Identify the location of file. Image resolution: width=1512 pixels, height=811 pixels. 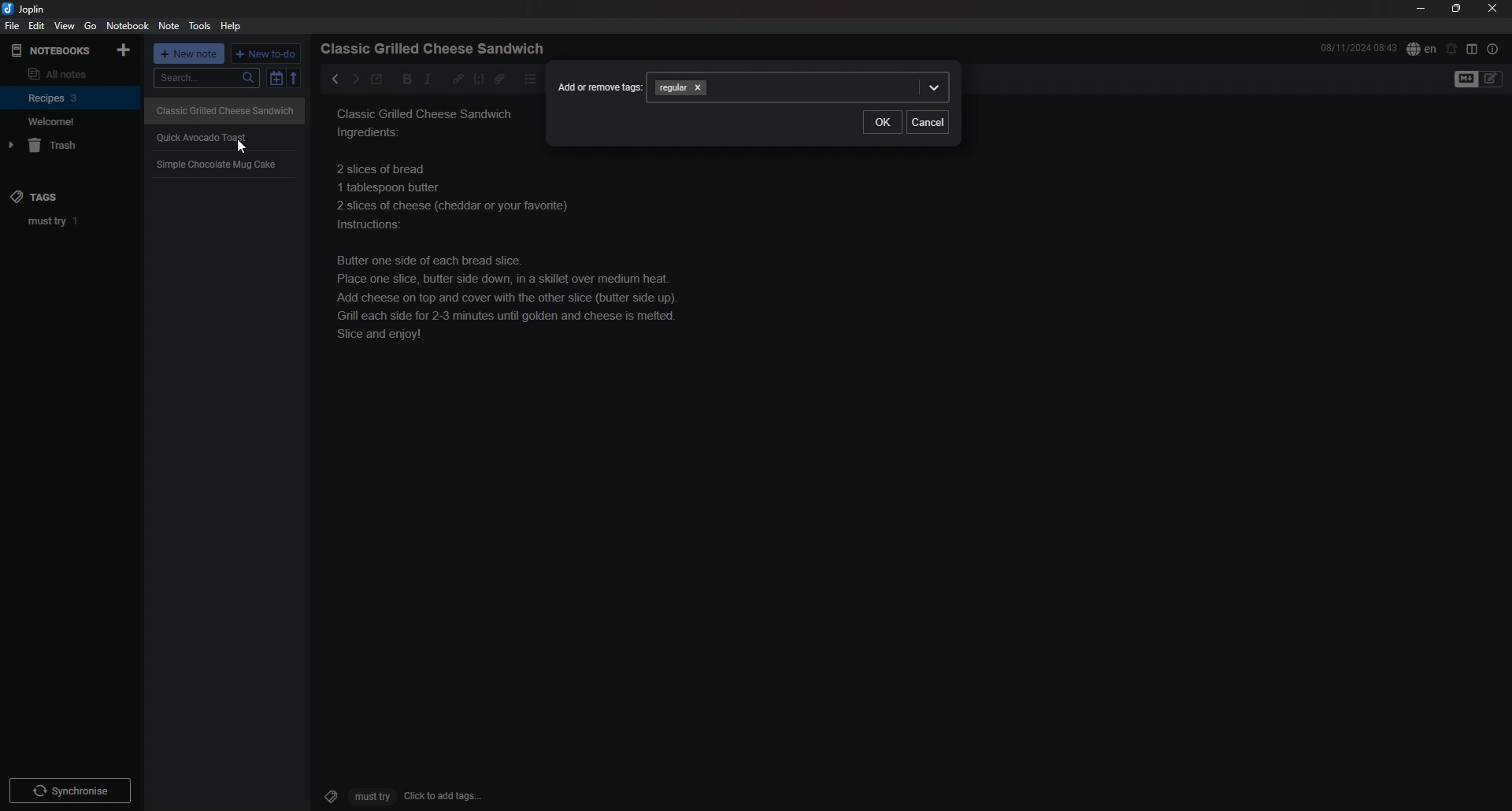
(11, 27).